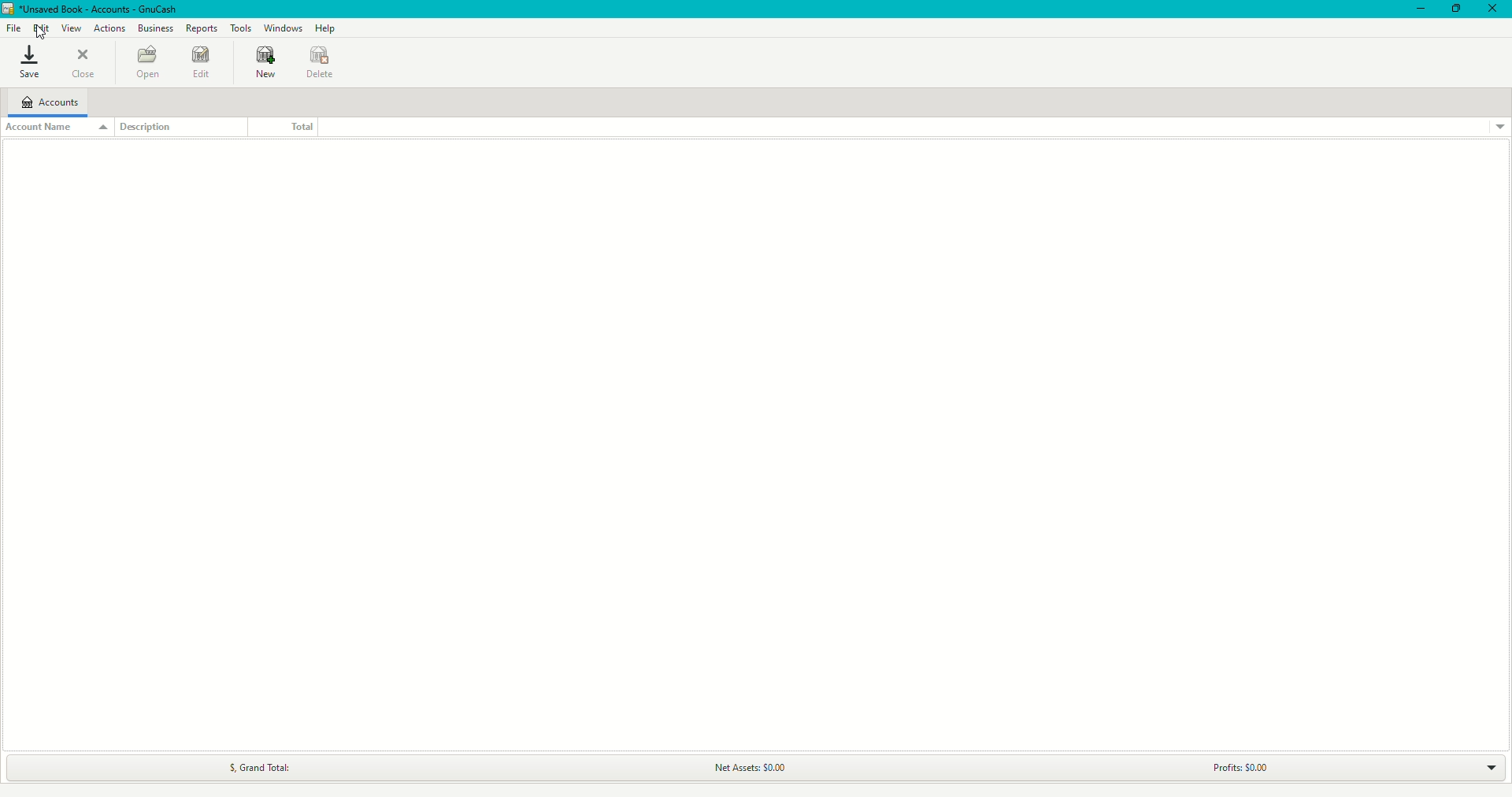 The image size is (1512, 797). I want to click on Windows, so click(286, 28).